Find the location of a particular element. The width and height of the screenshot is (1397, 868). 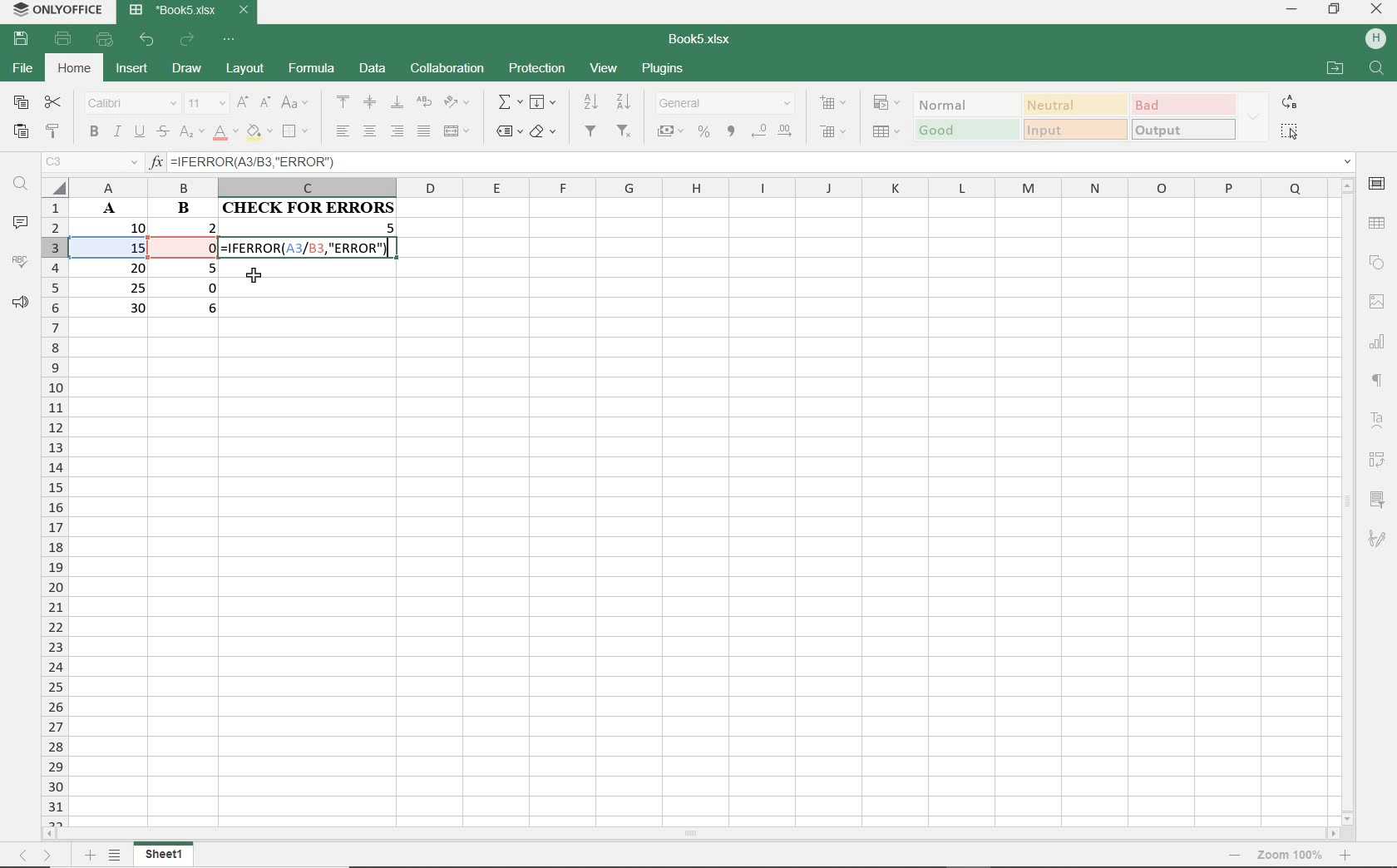

REPLACE is located at coordinates (1289, 101).